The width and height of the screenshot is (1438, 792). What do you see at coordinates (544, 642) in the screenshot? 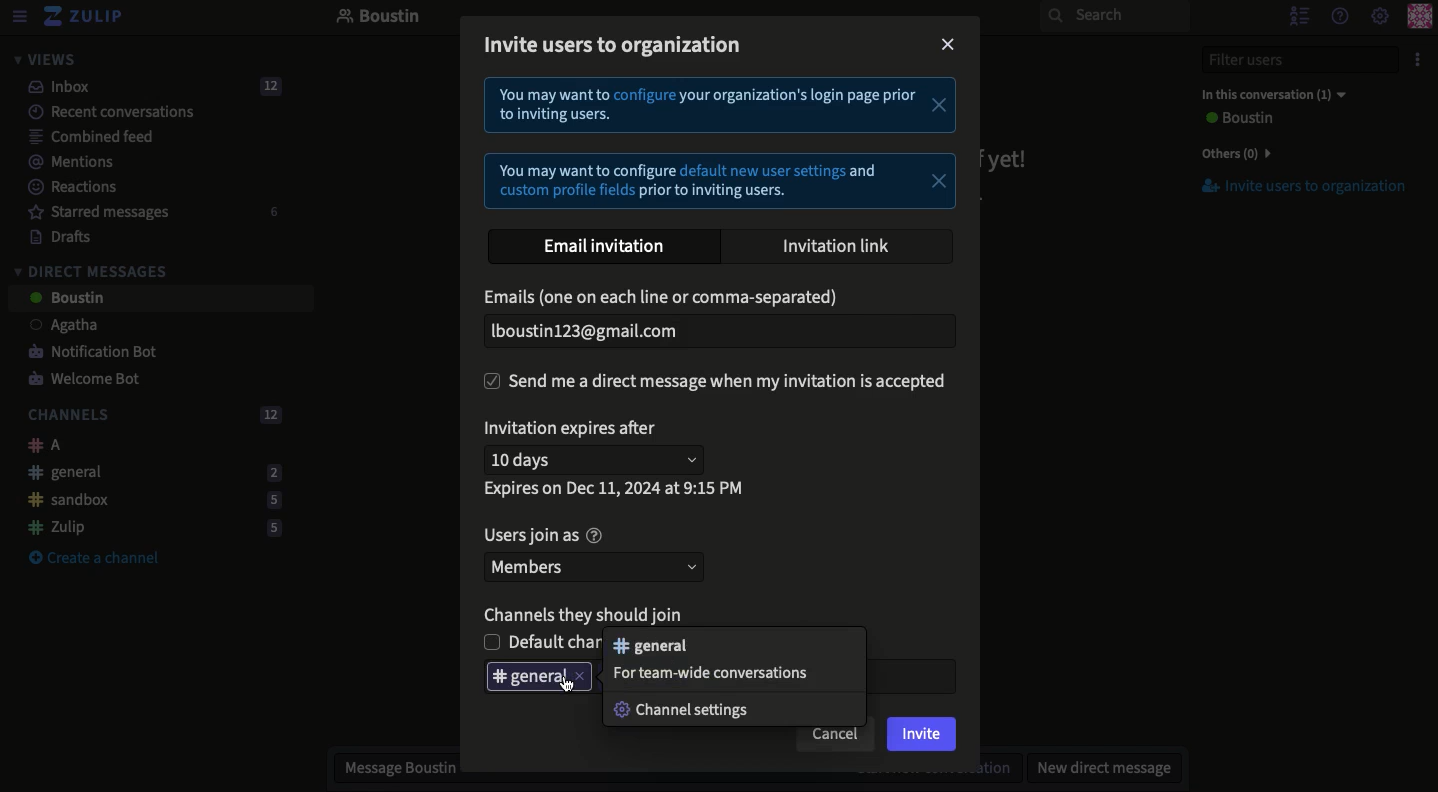
I see `Unselected` at bounding box center [544, 642].